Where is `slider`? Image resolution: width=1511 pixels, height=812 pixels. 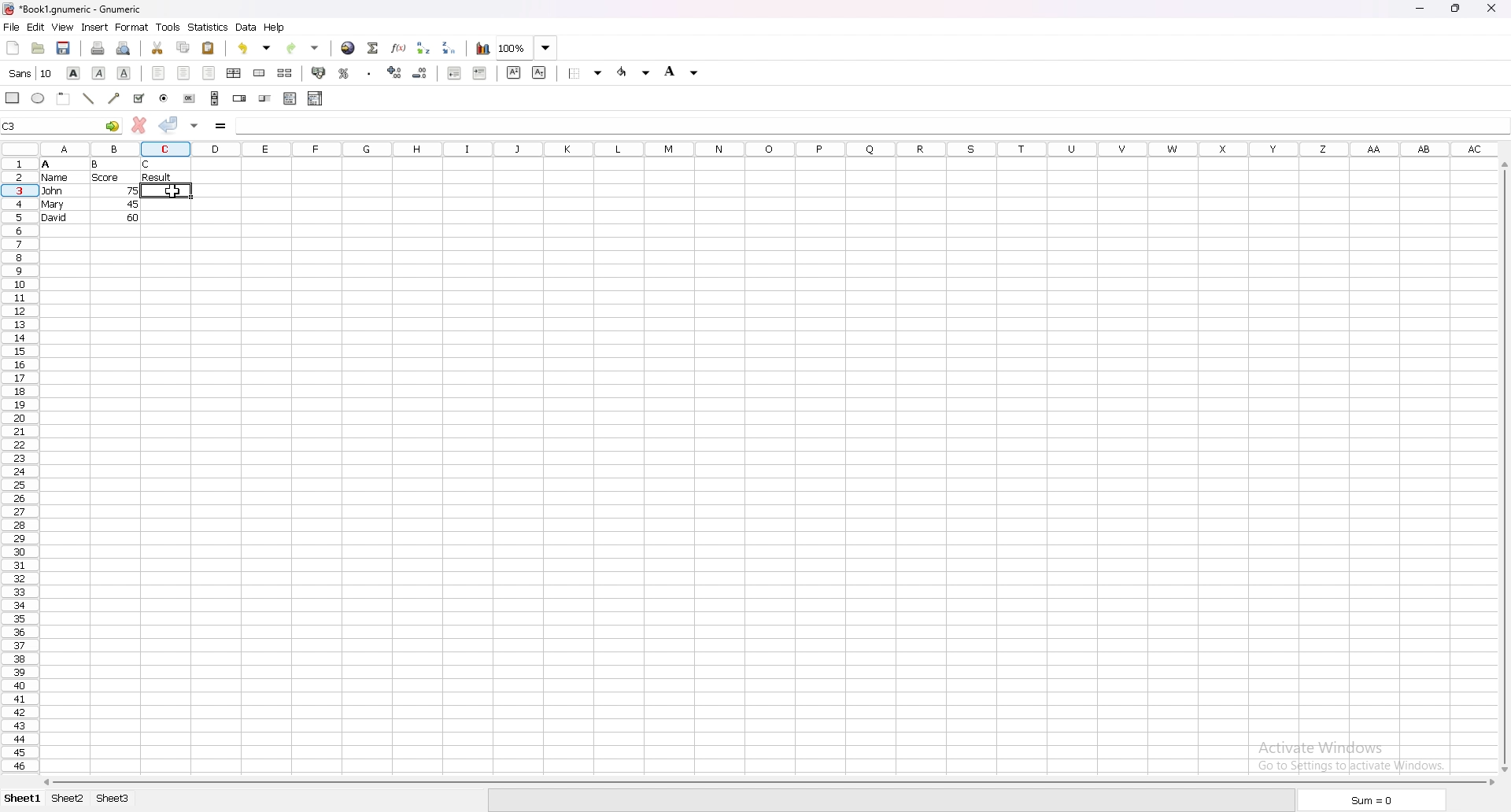 slider is located at coordinates (266, 98).